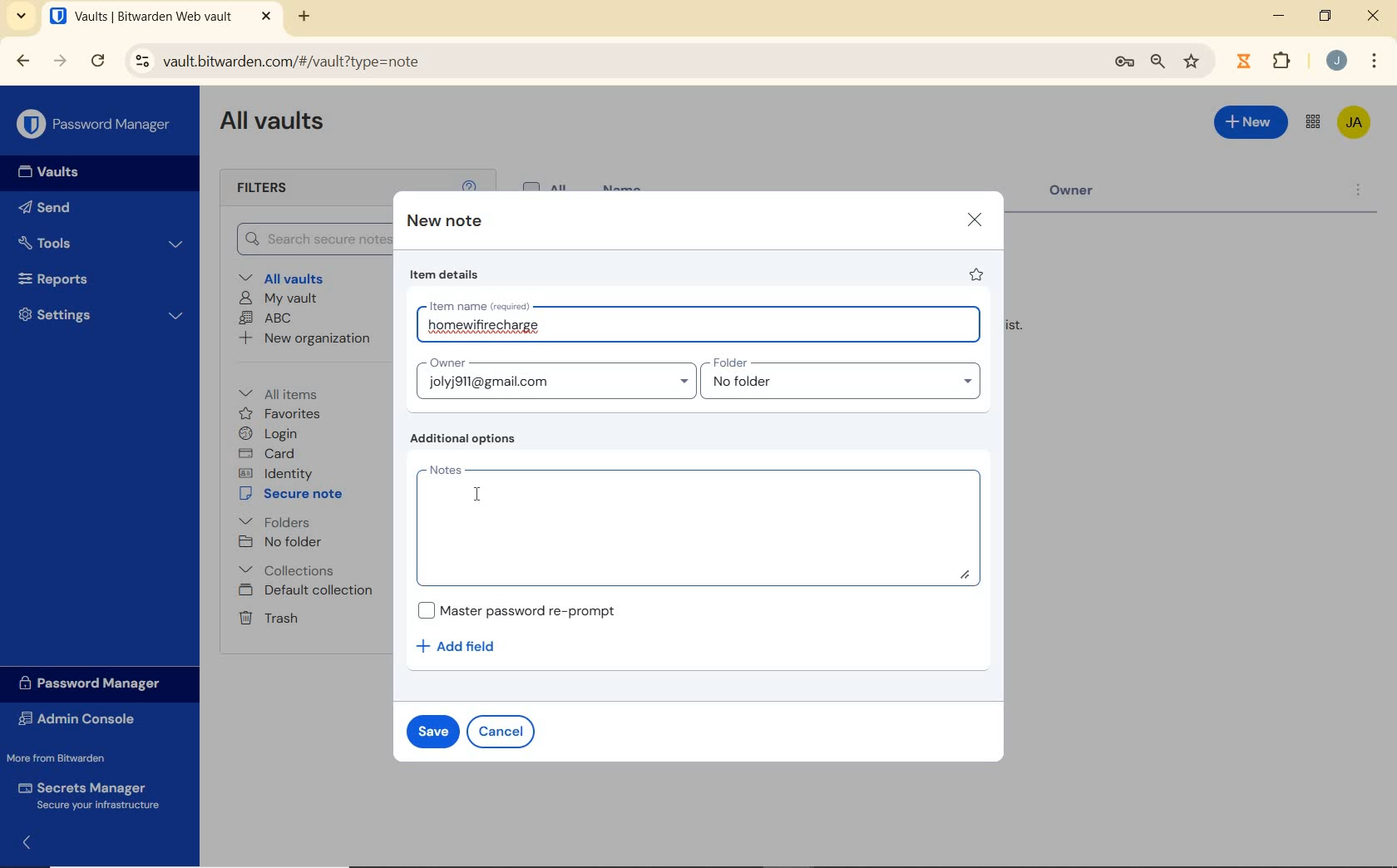 Image resolution: width=1397 pixels, height=868 pixels. Describe the element at coordinates (97, 684) in the screenshot. I see `Password Manager` at that location.